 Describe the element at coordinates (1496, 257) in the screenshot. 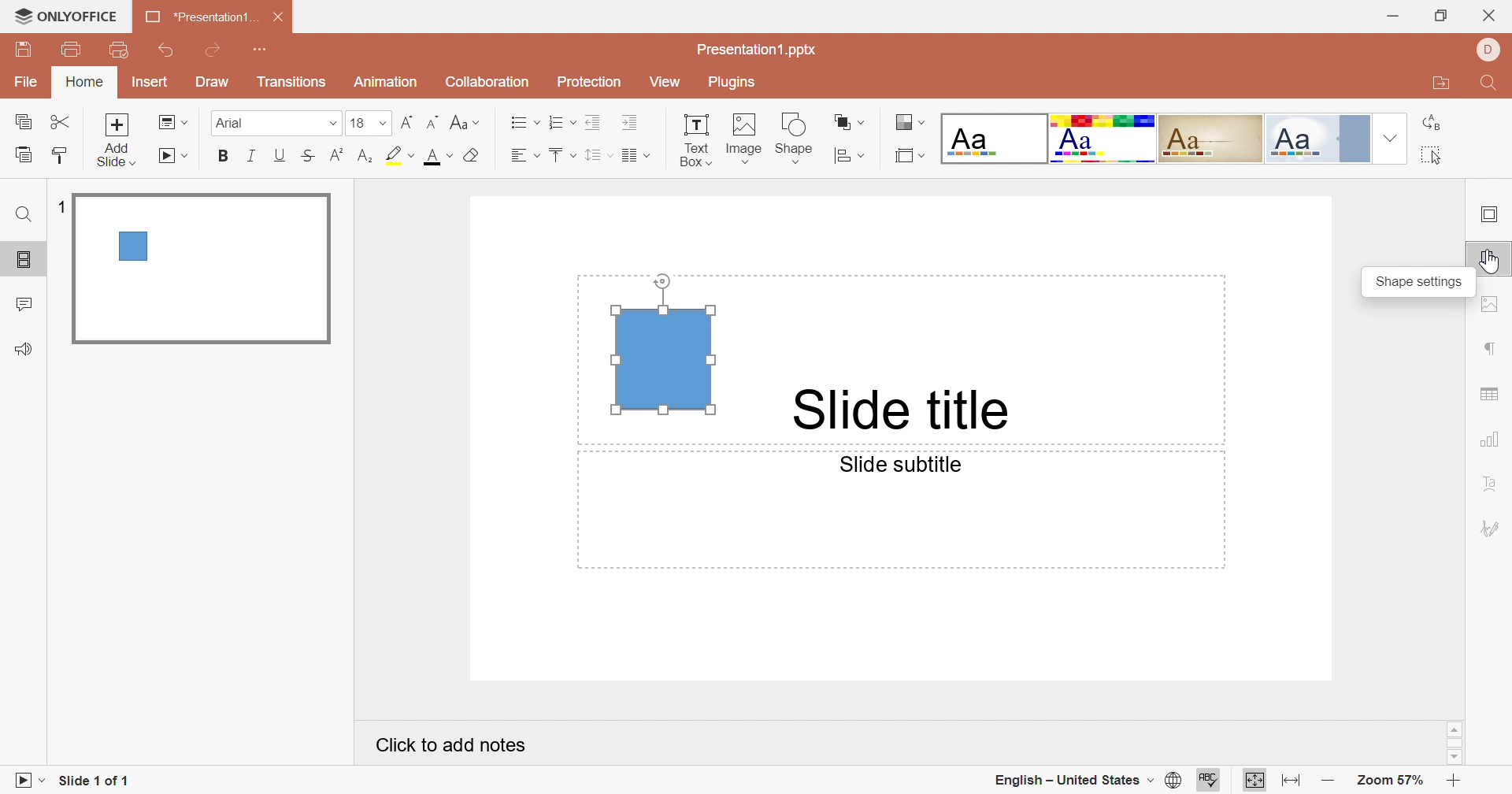

I see `Shape settings` at that location.